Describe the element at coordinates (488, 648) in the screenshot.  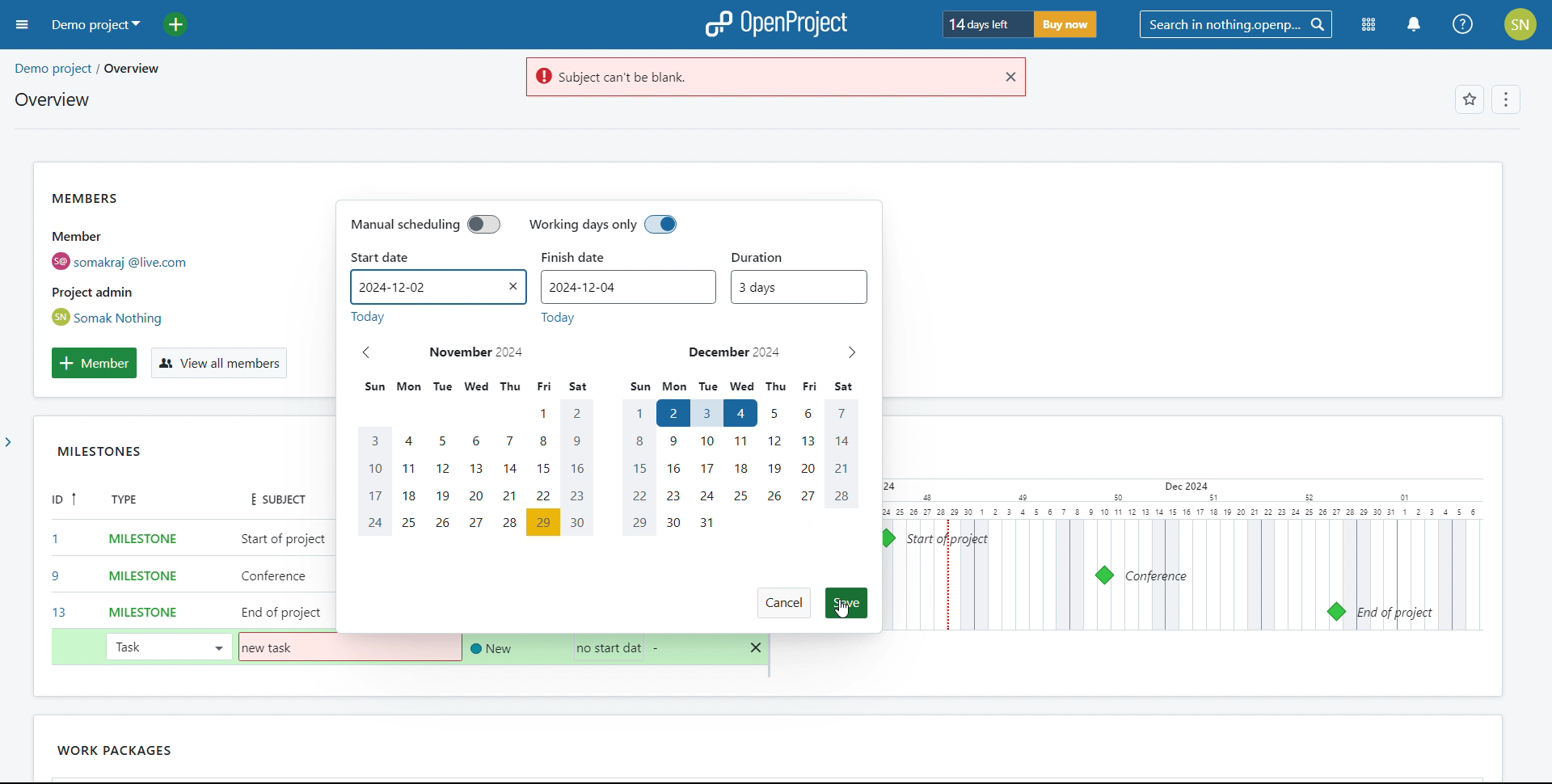
I see `set status` at that location.